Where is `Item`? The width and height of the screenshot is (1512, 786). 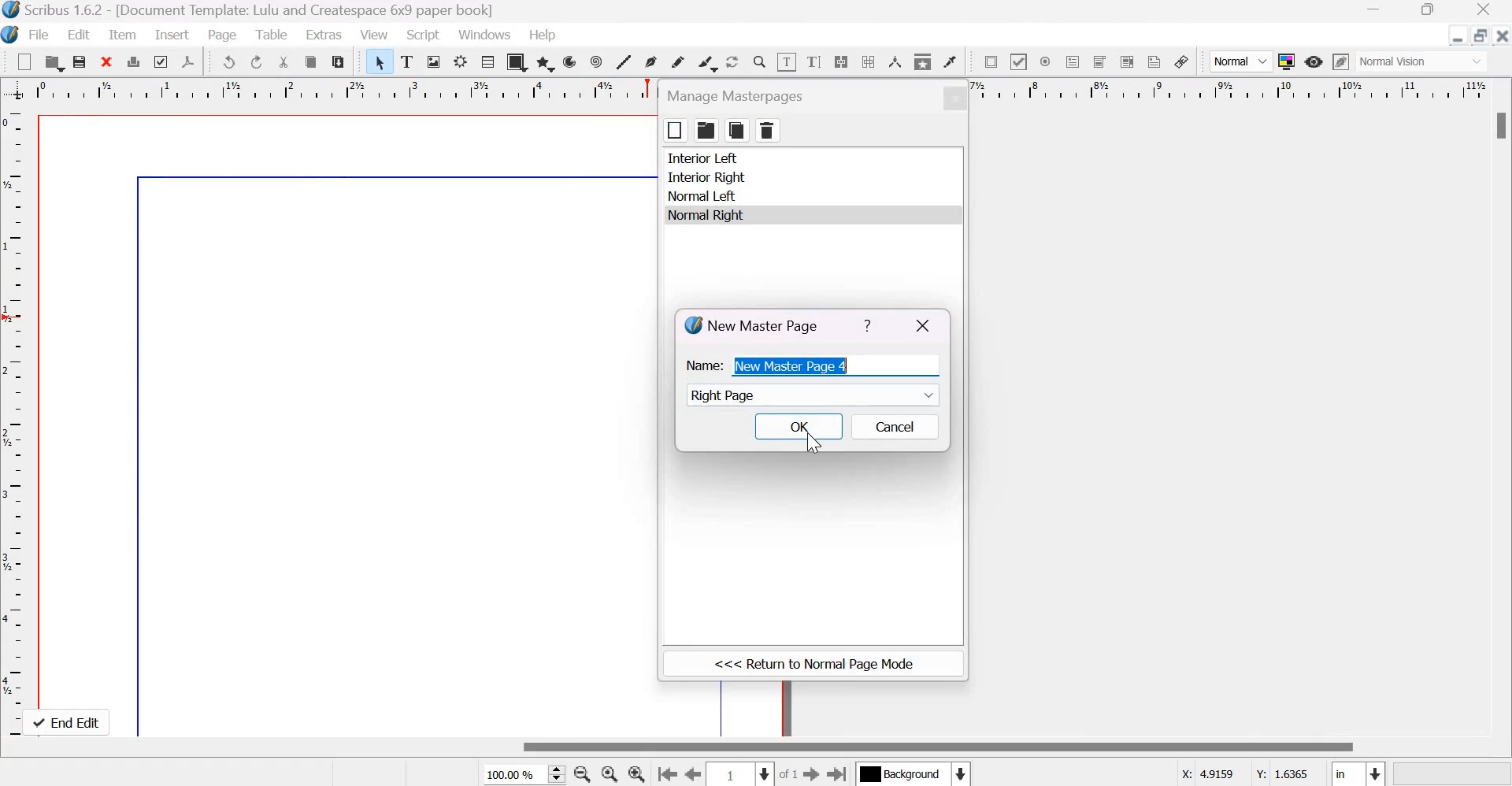 Item is located at coordinates (124, 34).